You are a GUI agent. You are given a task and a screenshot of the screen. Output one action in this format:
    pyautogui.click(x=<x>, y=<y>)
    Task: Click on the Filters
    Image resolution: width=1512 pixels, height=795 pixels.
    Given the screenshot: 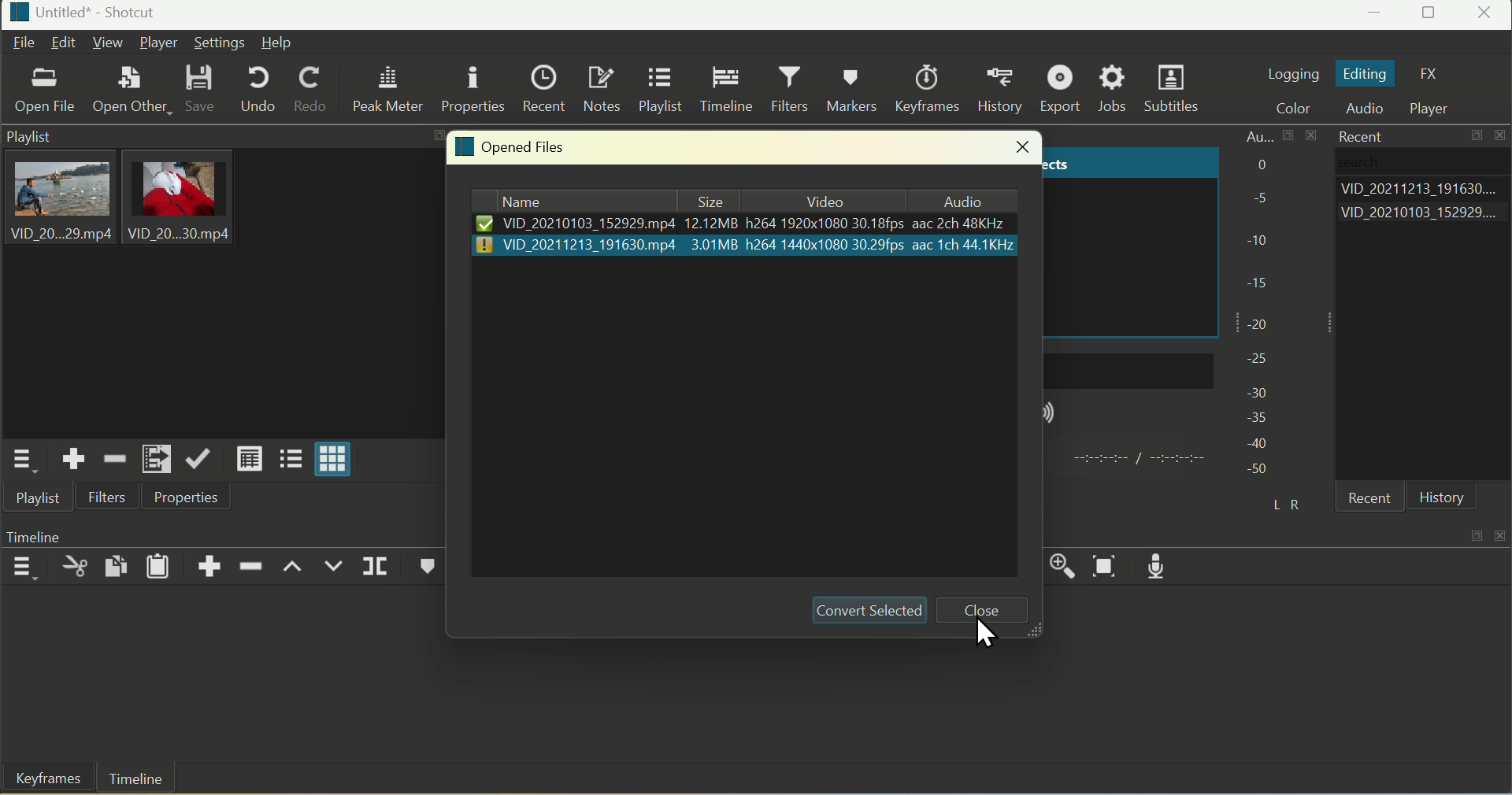 What is the action you would take?
    pyautogui.click(x=108, y=497)
    